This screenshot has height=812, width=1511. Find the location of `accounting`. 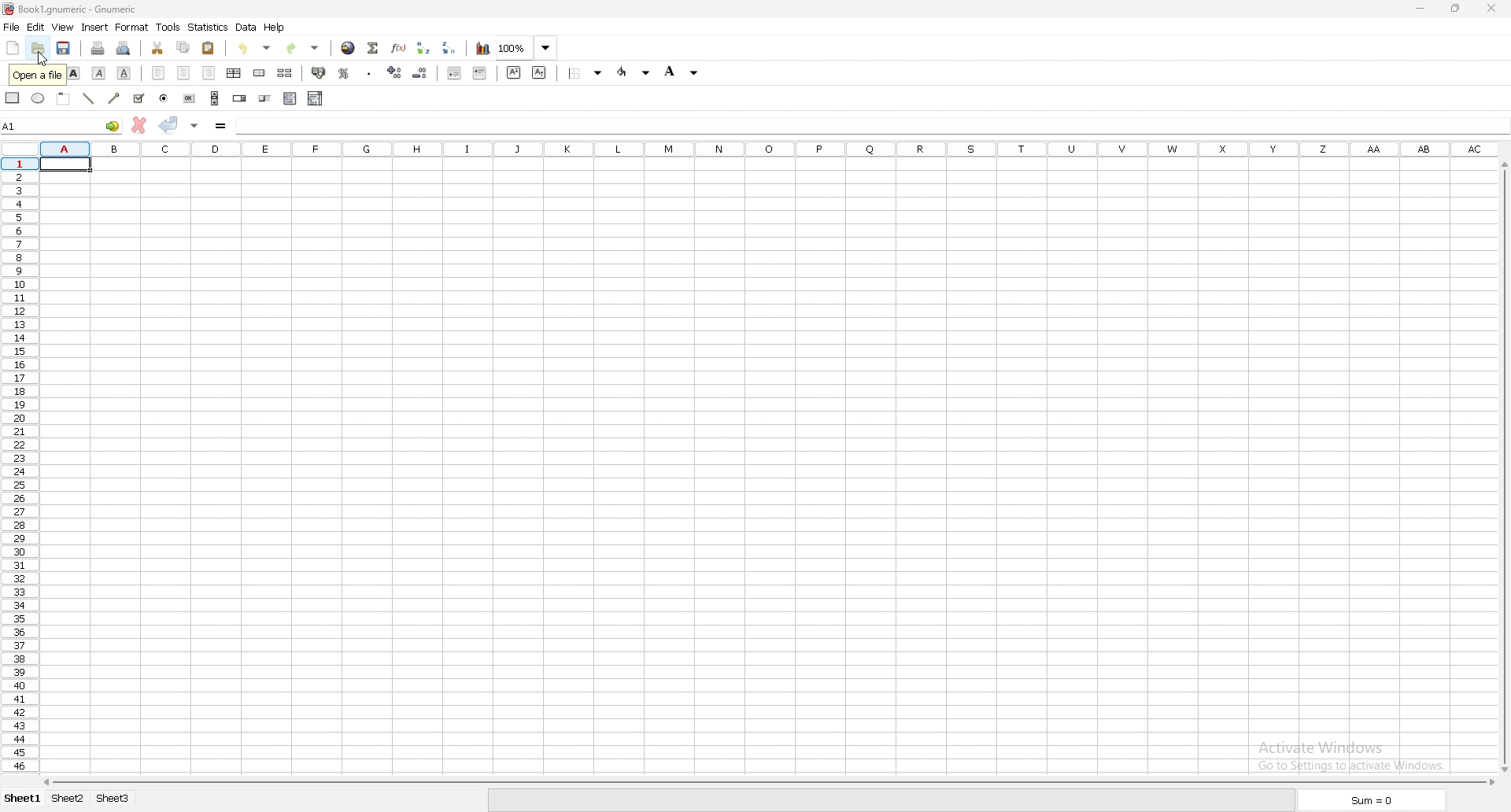

accounting is located at coordinates (320, 72).